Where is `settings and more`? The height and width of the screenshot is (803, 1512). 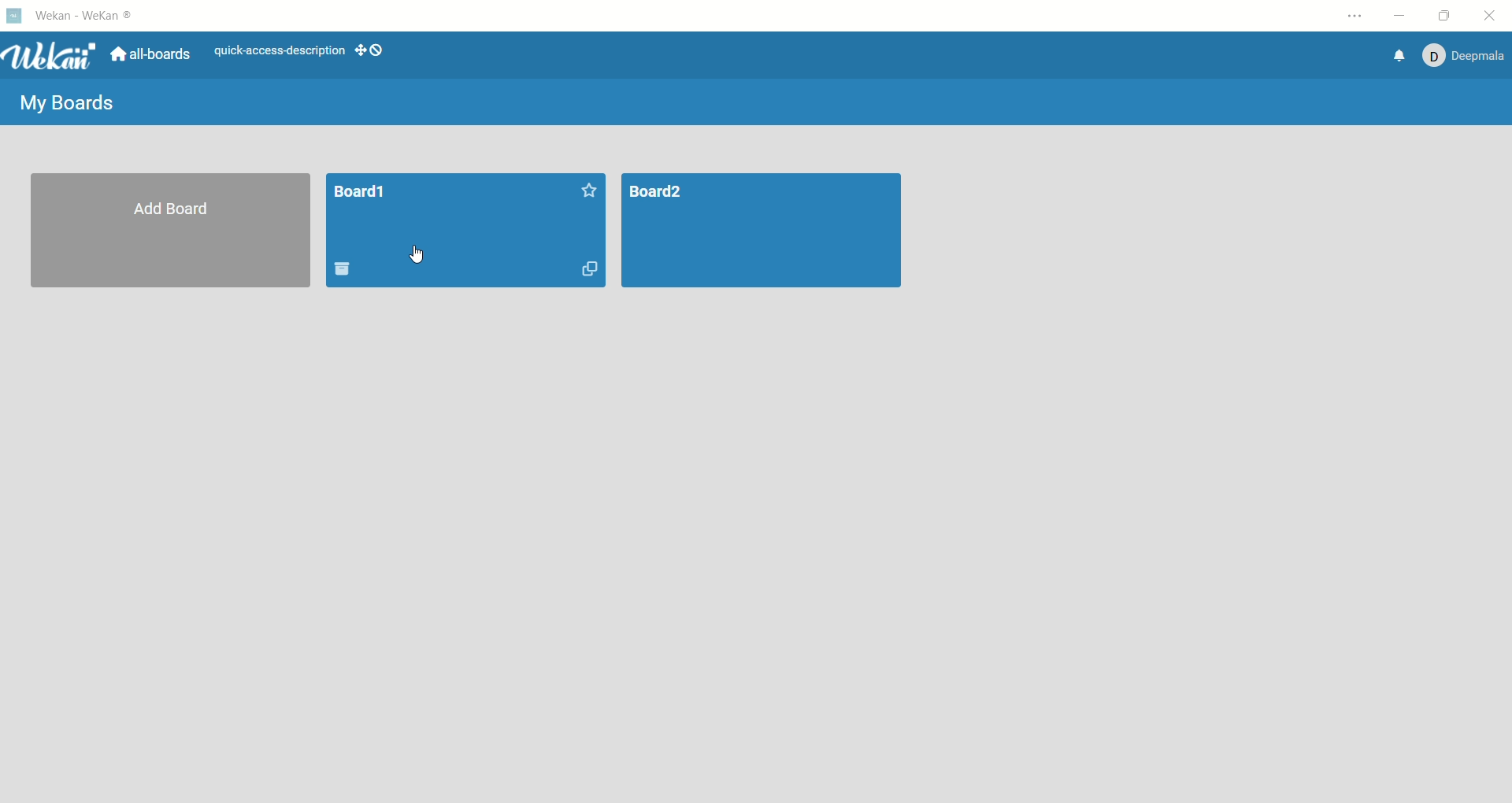 settings and more is located at coordinates (1354, 18).